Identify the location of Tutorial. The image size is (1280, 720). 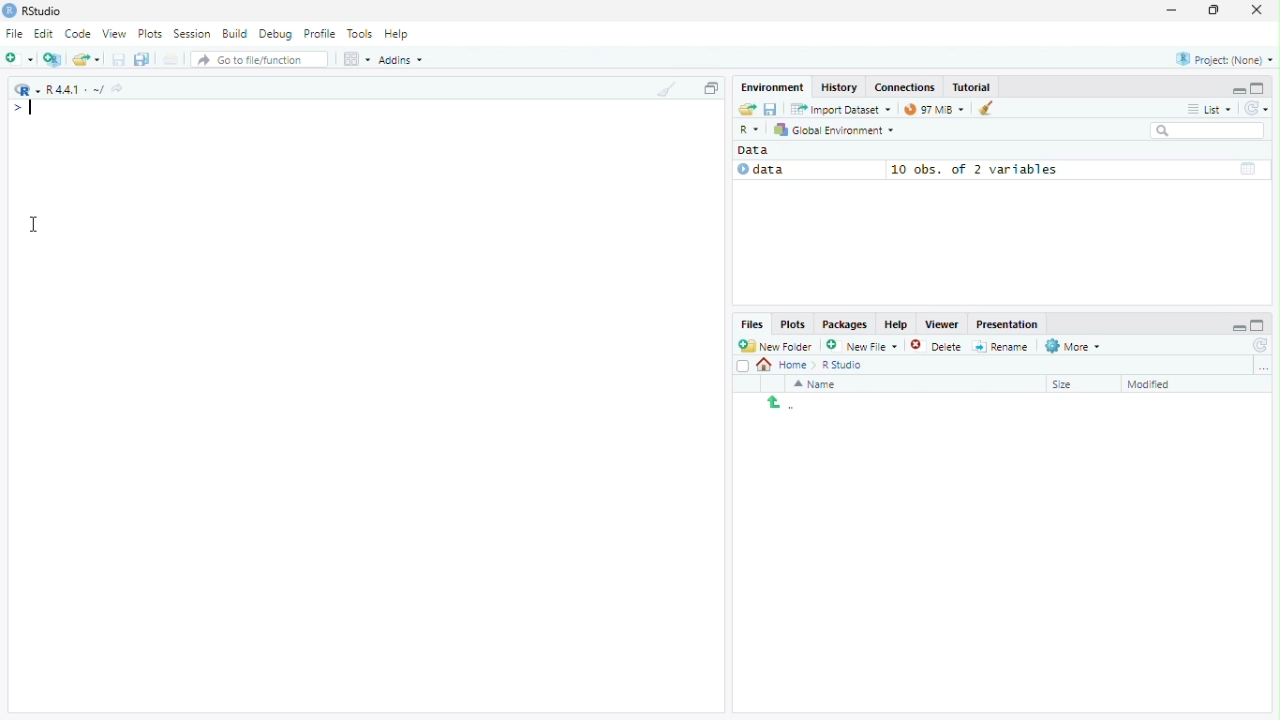
(973, 87).